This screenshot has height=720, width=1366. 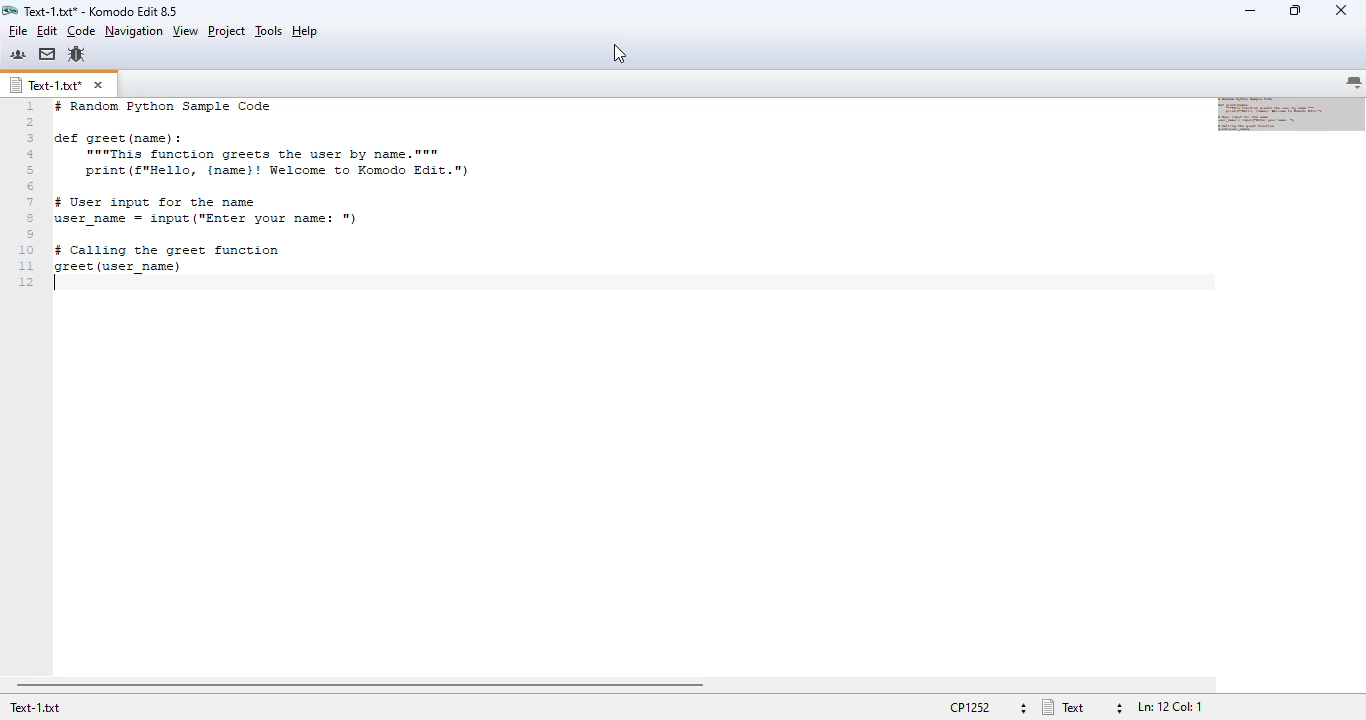 I want to click on report a bug in the komodo bugzilla database, so click(x=76, y=54).